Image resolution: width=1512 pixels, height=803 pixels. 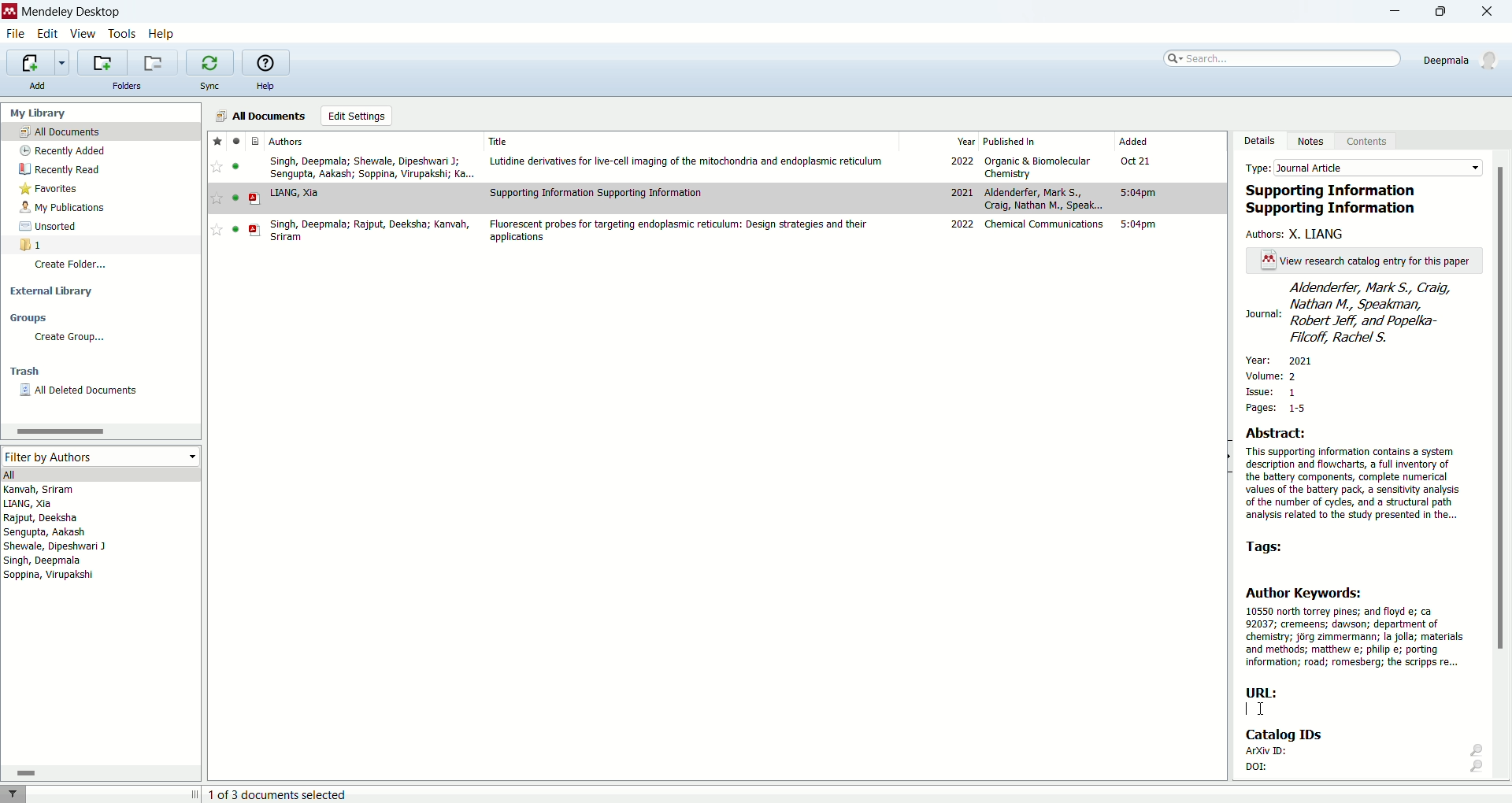 I want to click on favorites, so click(x=54, y=189).